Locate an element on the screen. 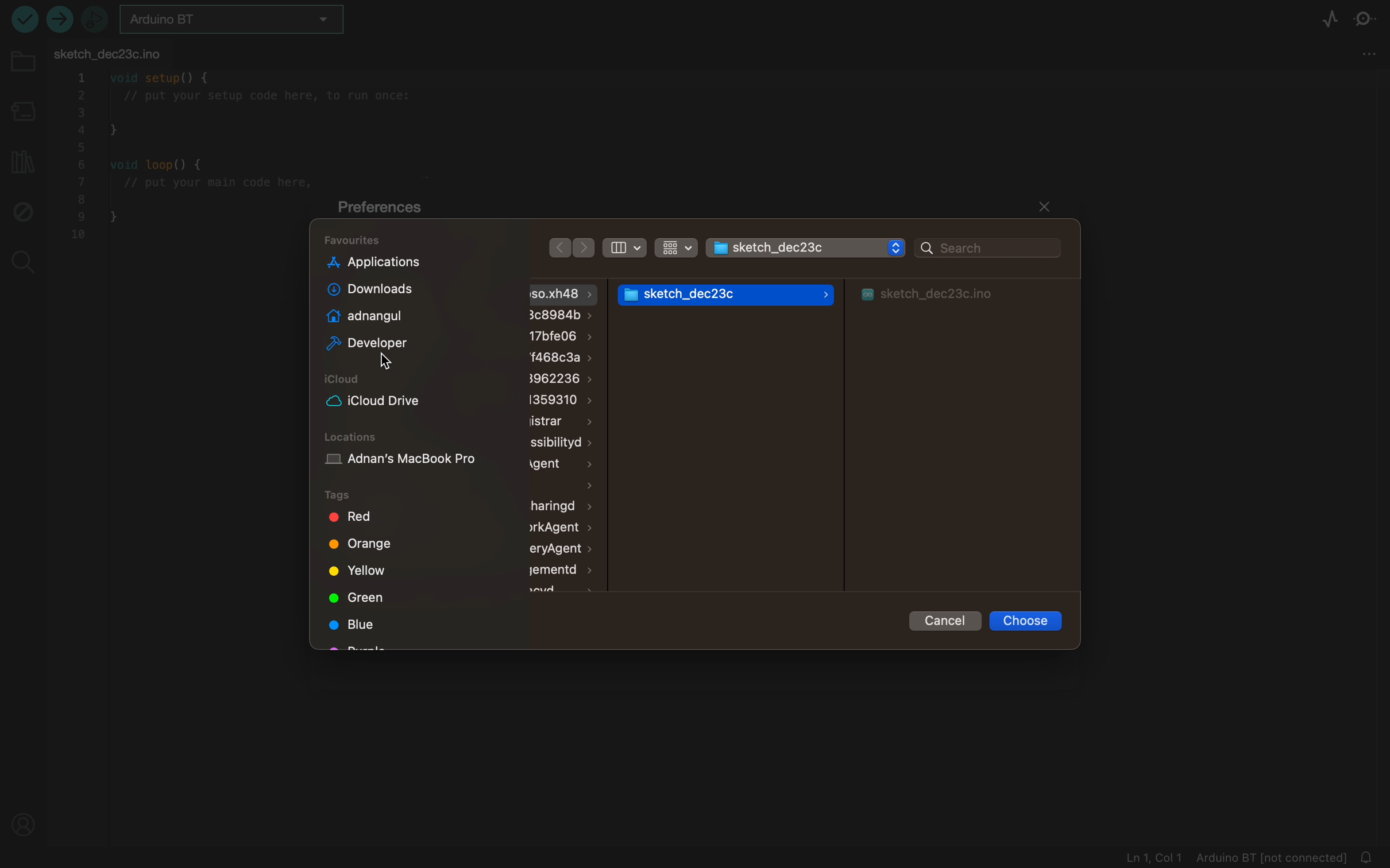  filters is located at coordinates (649, 249).